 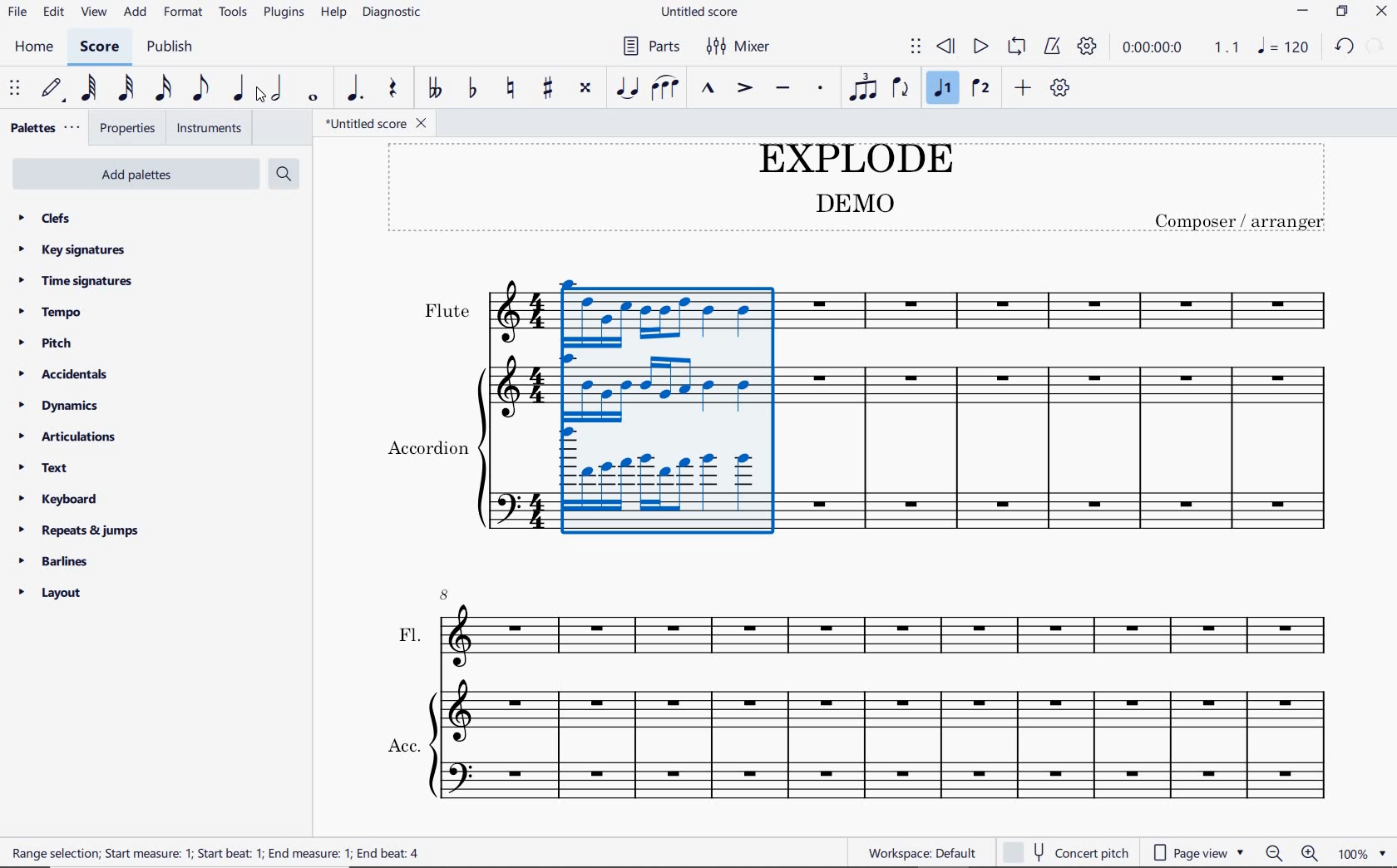 What do you see at coordinates (1365, 850) in the screenshot?
I see `zoom factor` at bounding box center [1365, 850].